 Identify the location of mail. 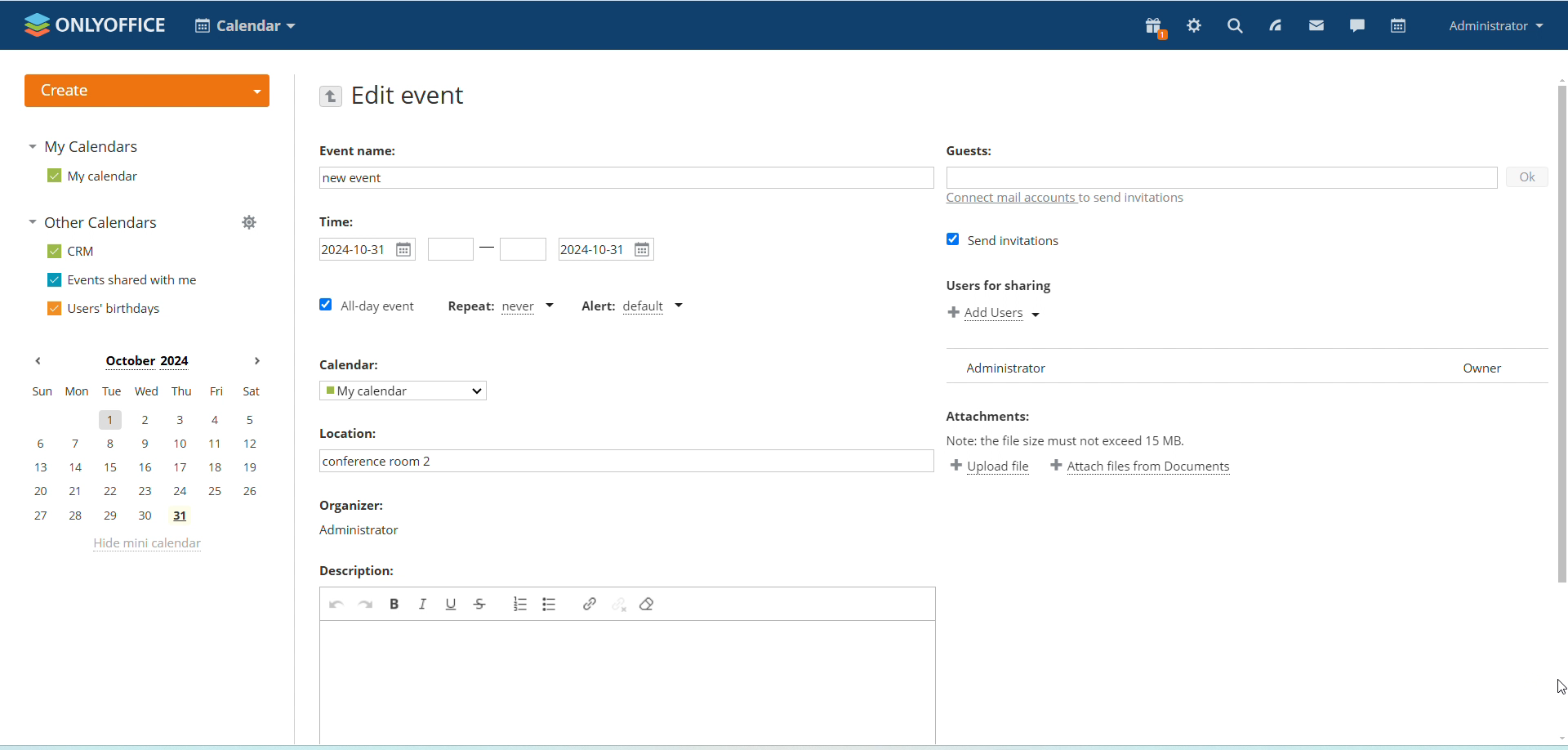
(1317, 27).